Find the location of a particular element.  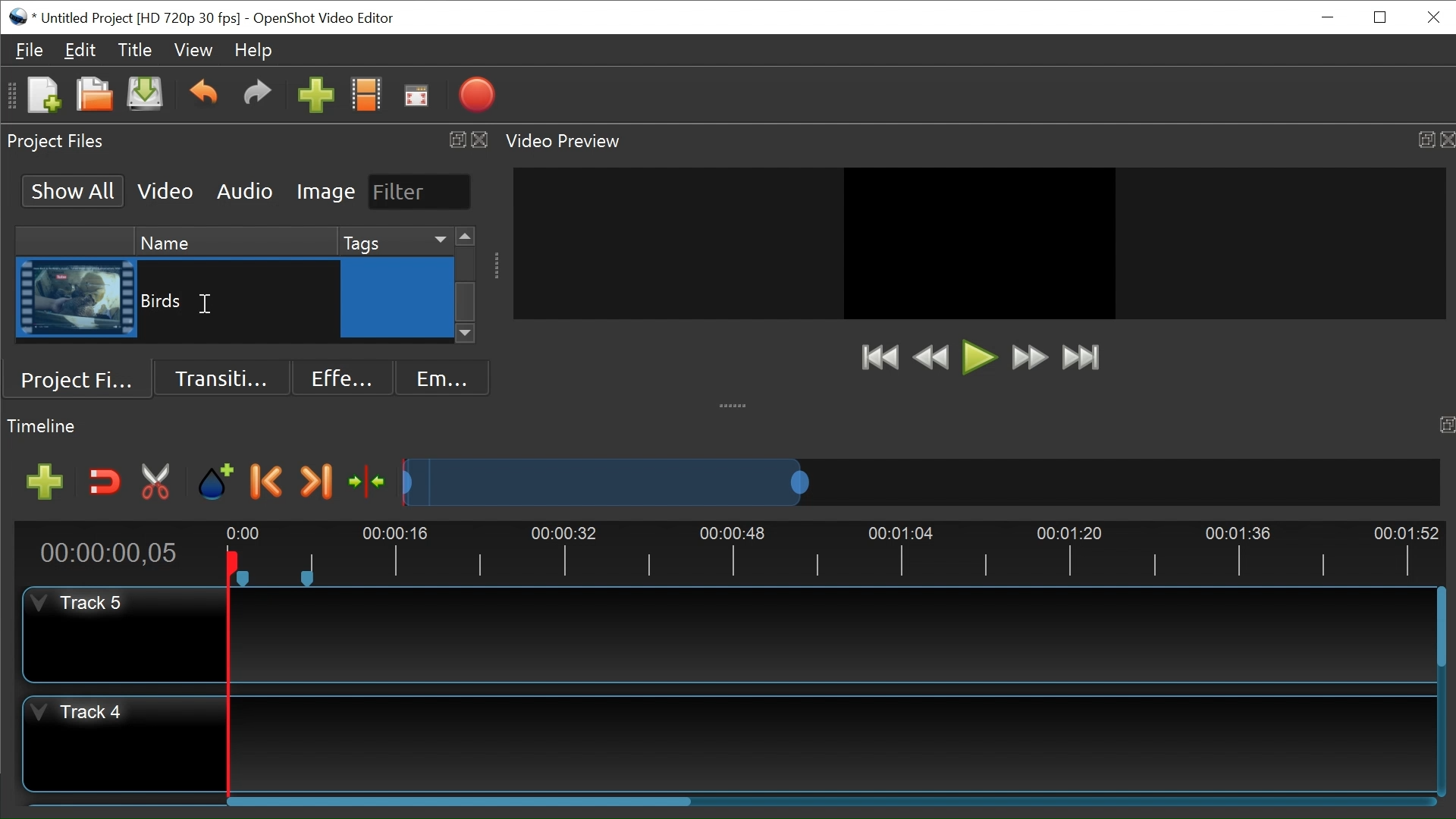

Chooses Profile is located at coordinates (369, 96).